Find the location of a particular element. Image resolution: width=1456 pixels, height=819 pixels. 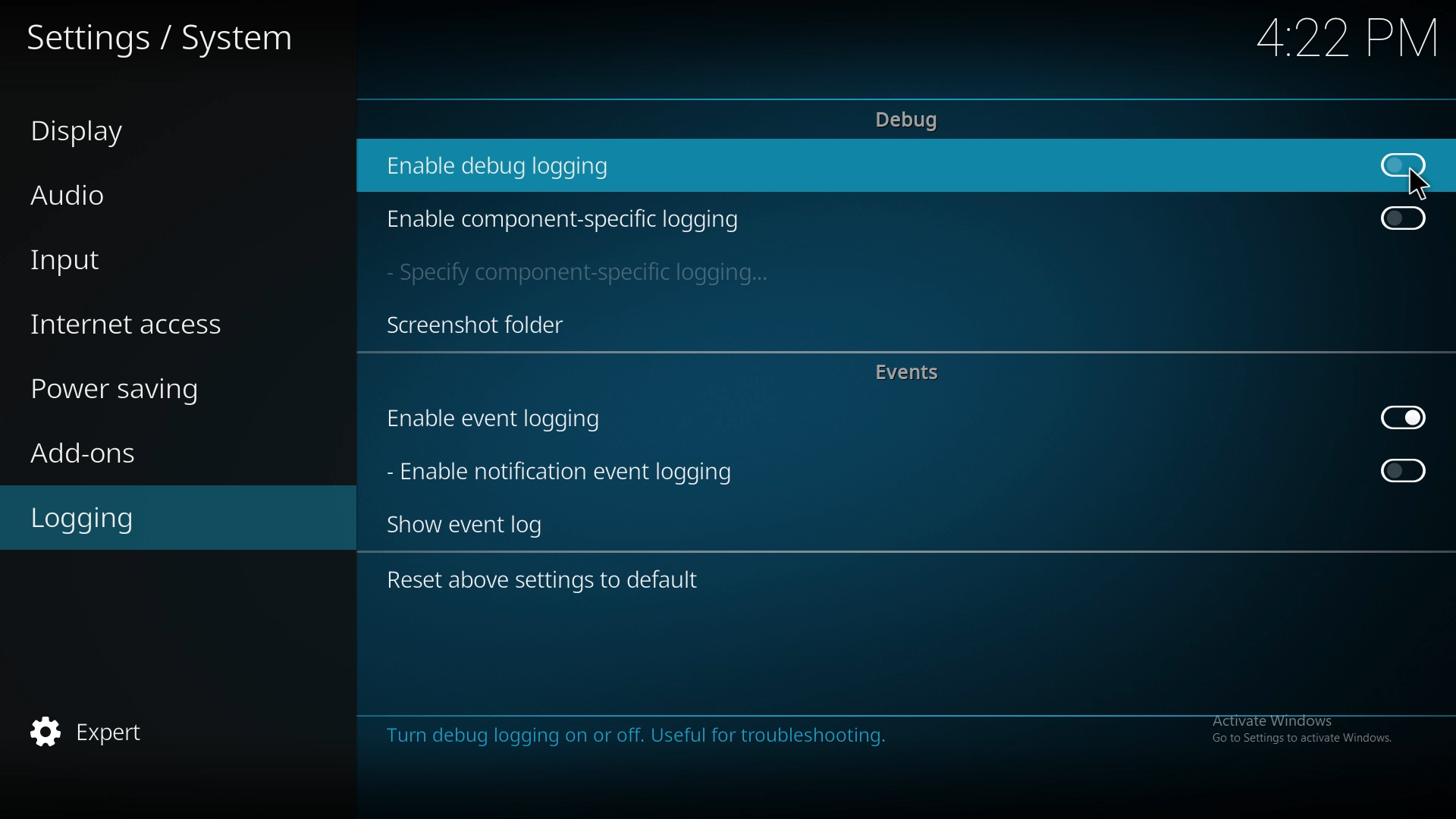

enable notification event logging is located at coordinates (569, 471).